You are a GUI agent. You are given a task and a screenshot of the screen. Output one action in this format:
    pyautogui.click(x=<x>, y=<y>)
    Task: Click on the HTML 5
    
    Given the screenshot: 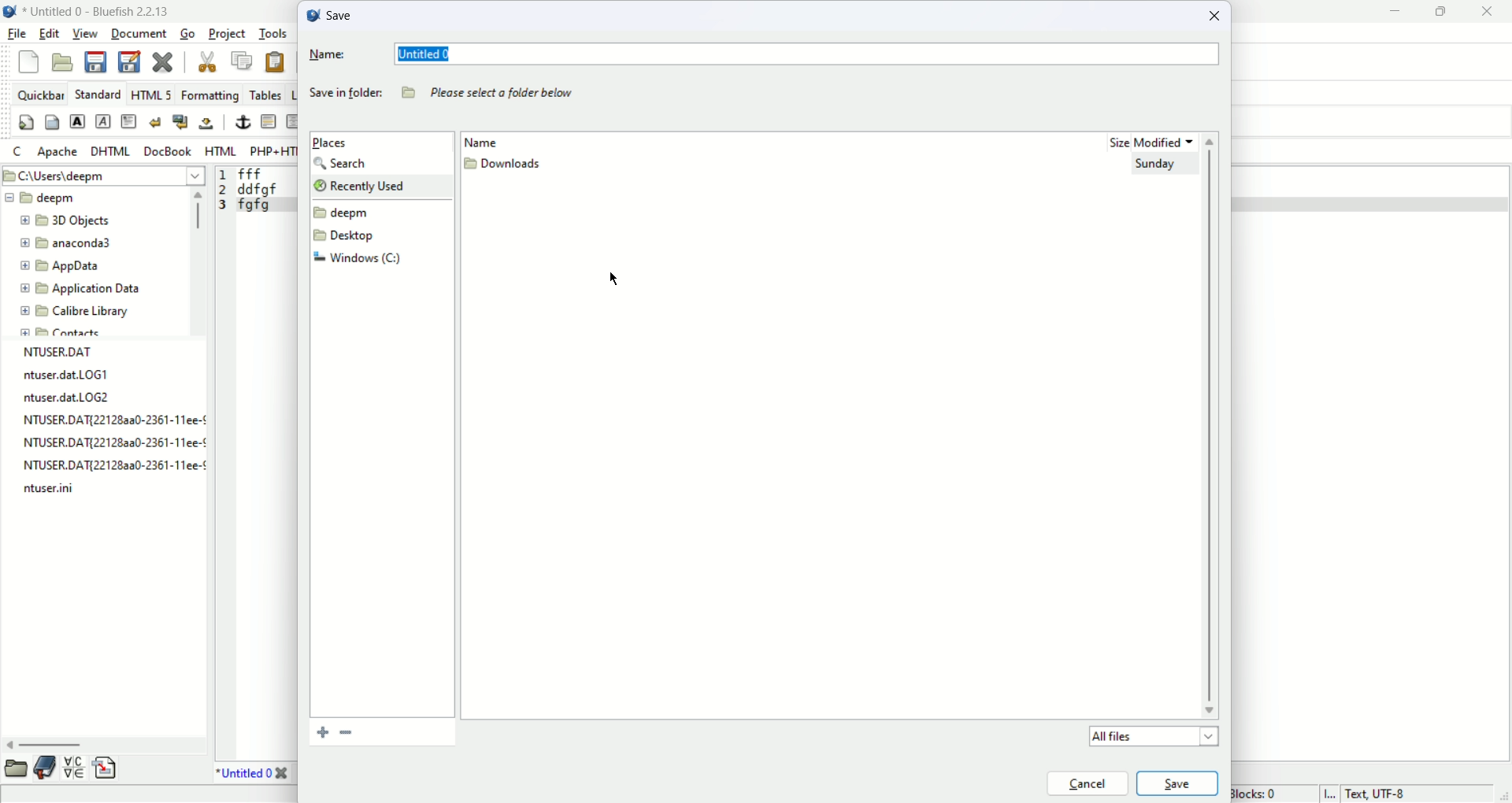 What is the action you would take?
    pyautogui.click(x=152, y=94)
    